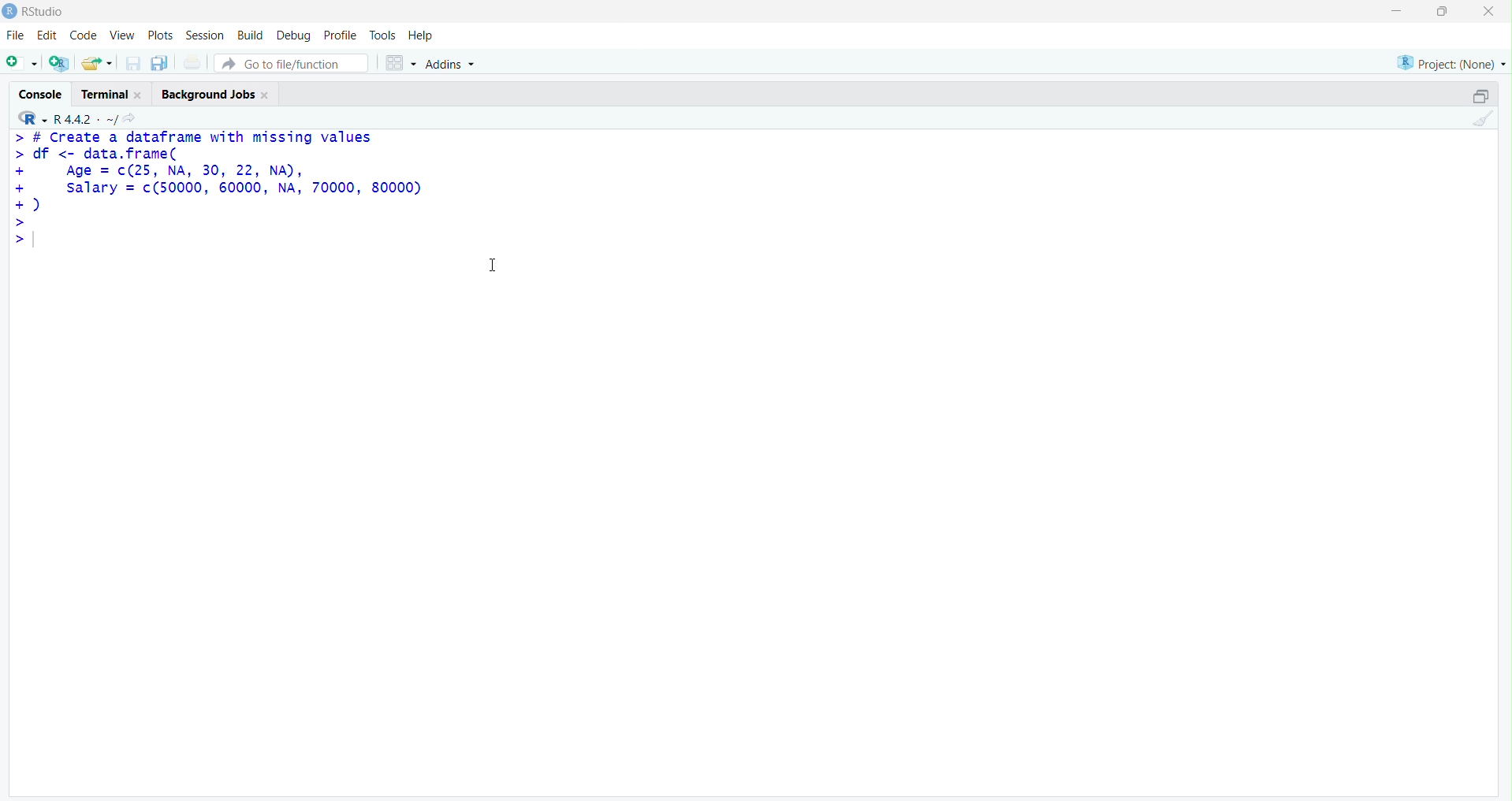  I want to click on Maximize, so click(1445, 12).